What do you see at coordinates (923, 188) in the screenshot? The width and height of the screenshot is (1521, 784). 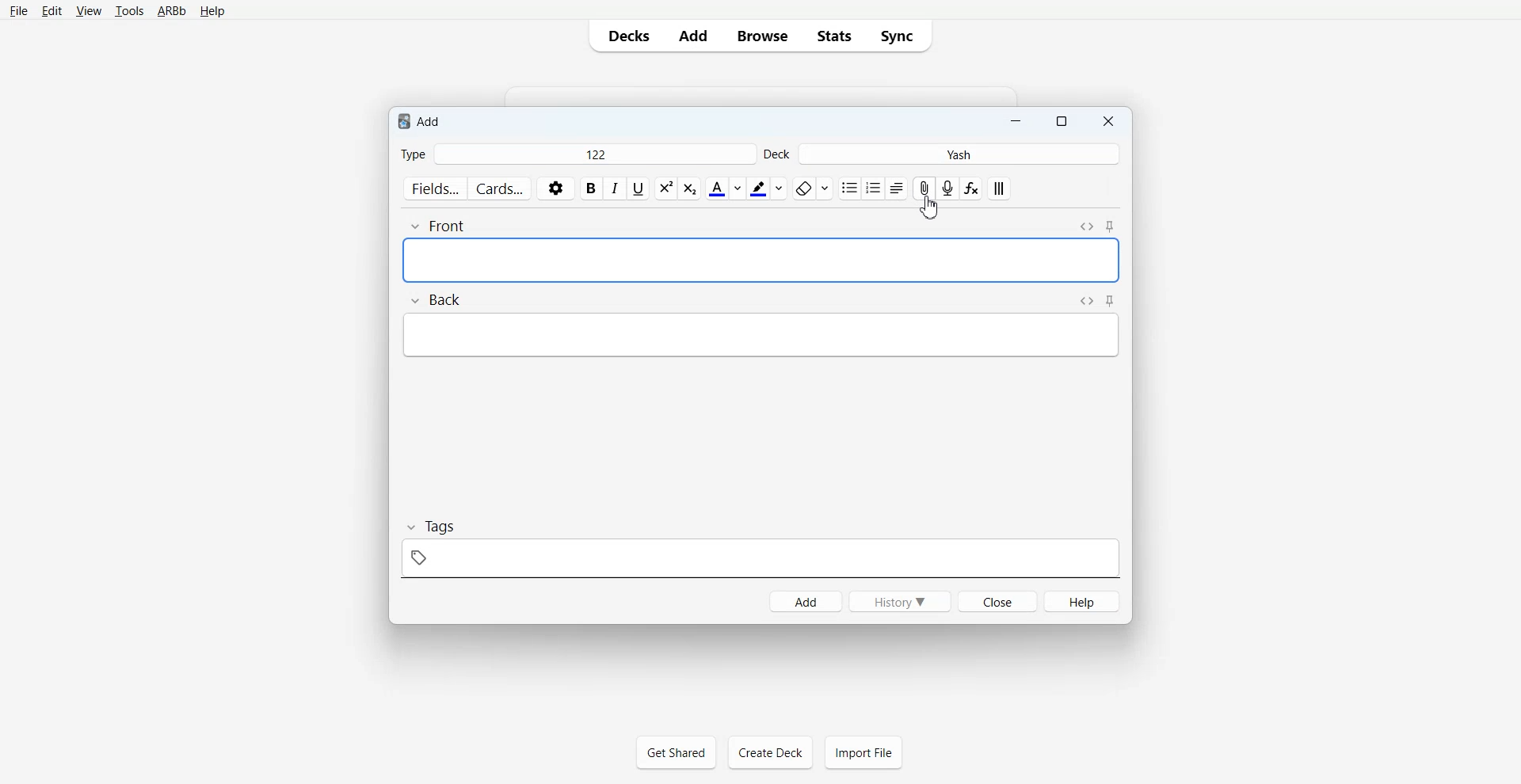 I see `Attach File` at bounding box center [923, 188].